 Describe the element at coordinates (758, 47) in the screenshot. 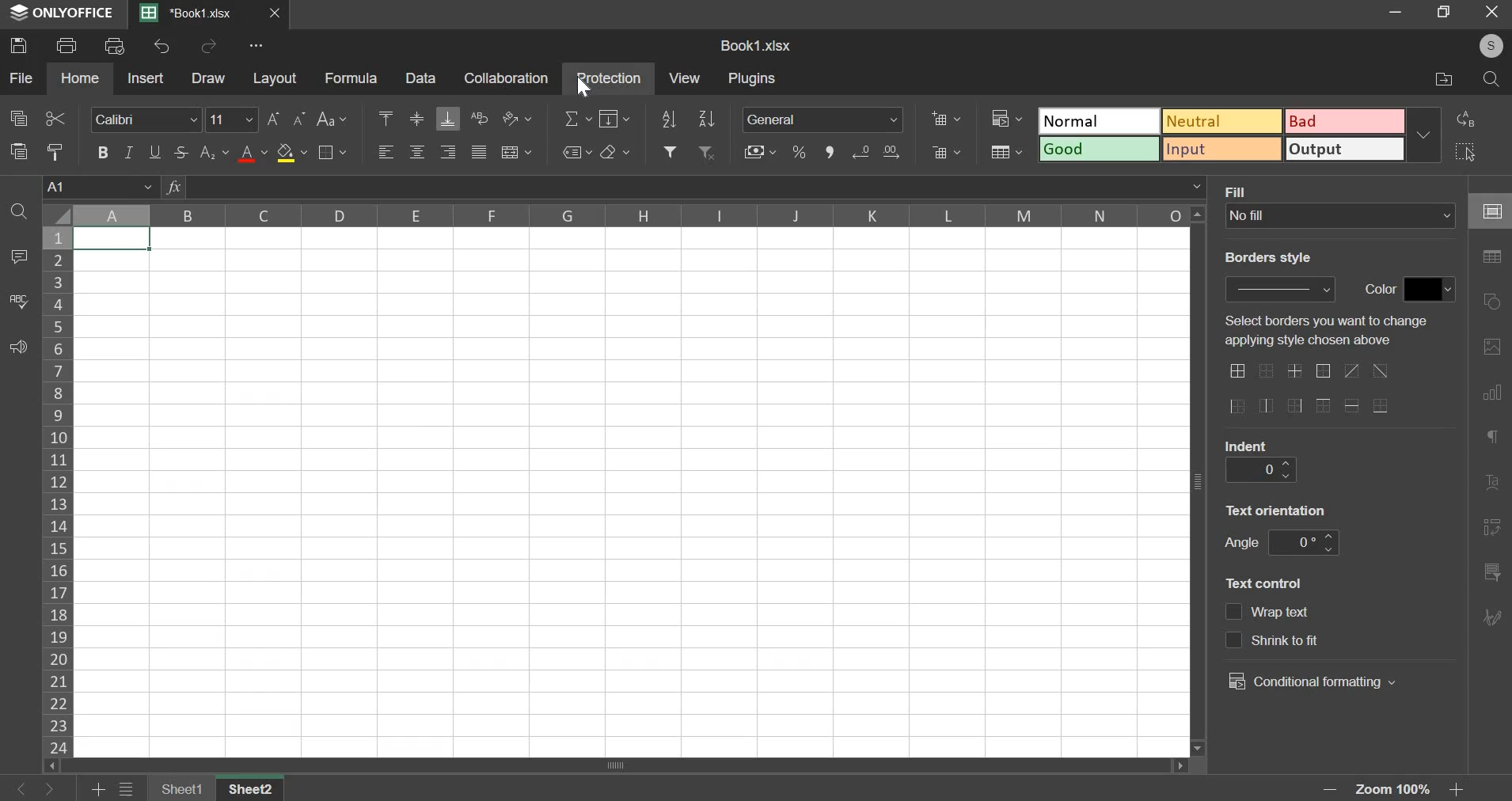

I see `Book1.xlsx` at that location.